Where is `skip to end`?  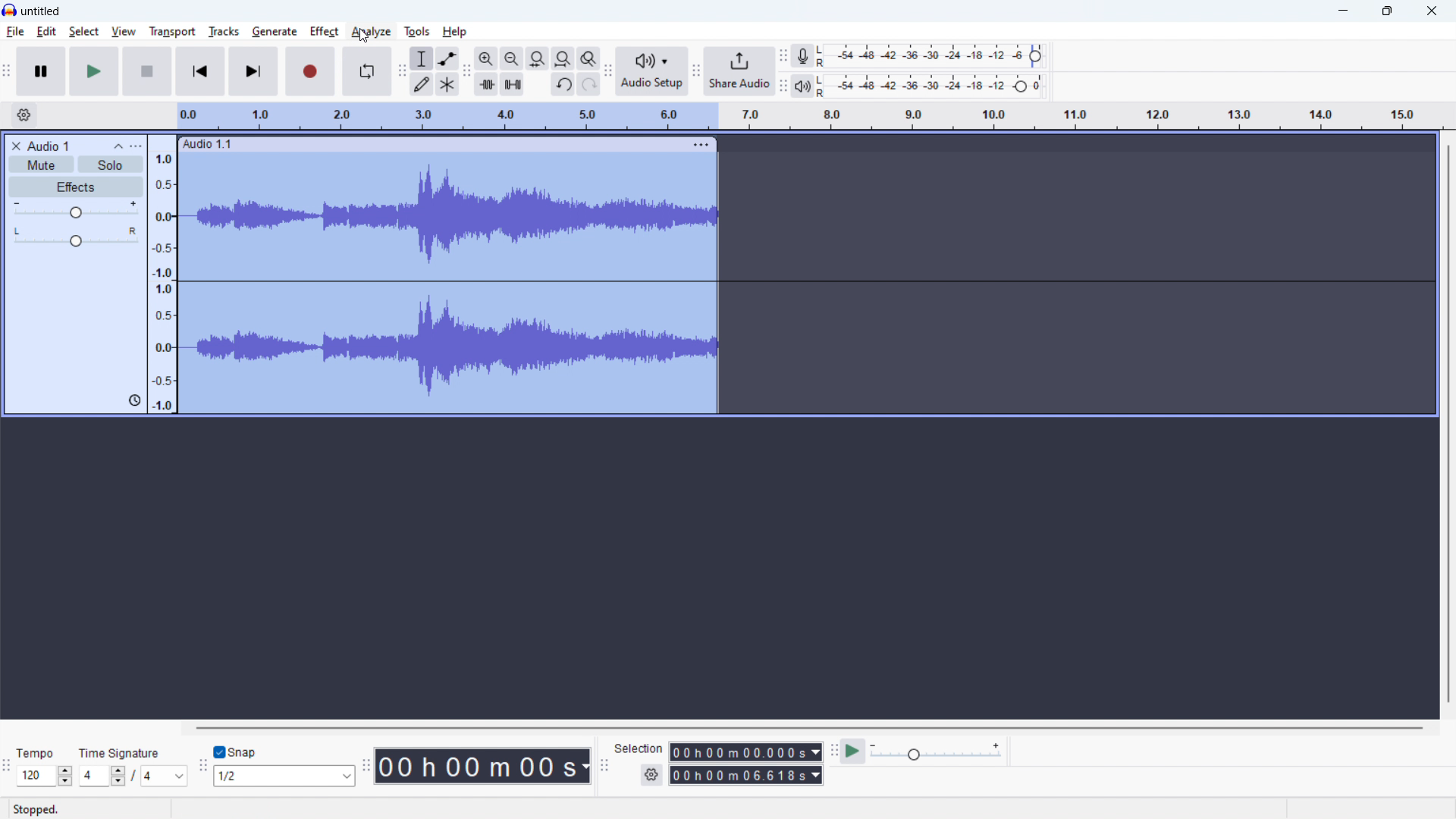 skip to end is located at coordinates (253, 71).